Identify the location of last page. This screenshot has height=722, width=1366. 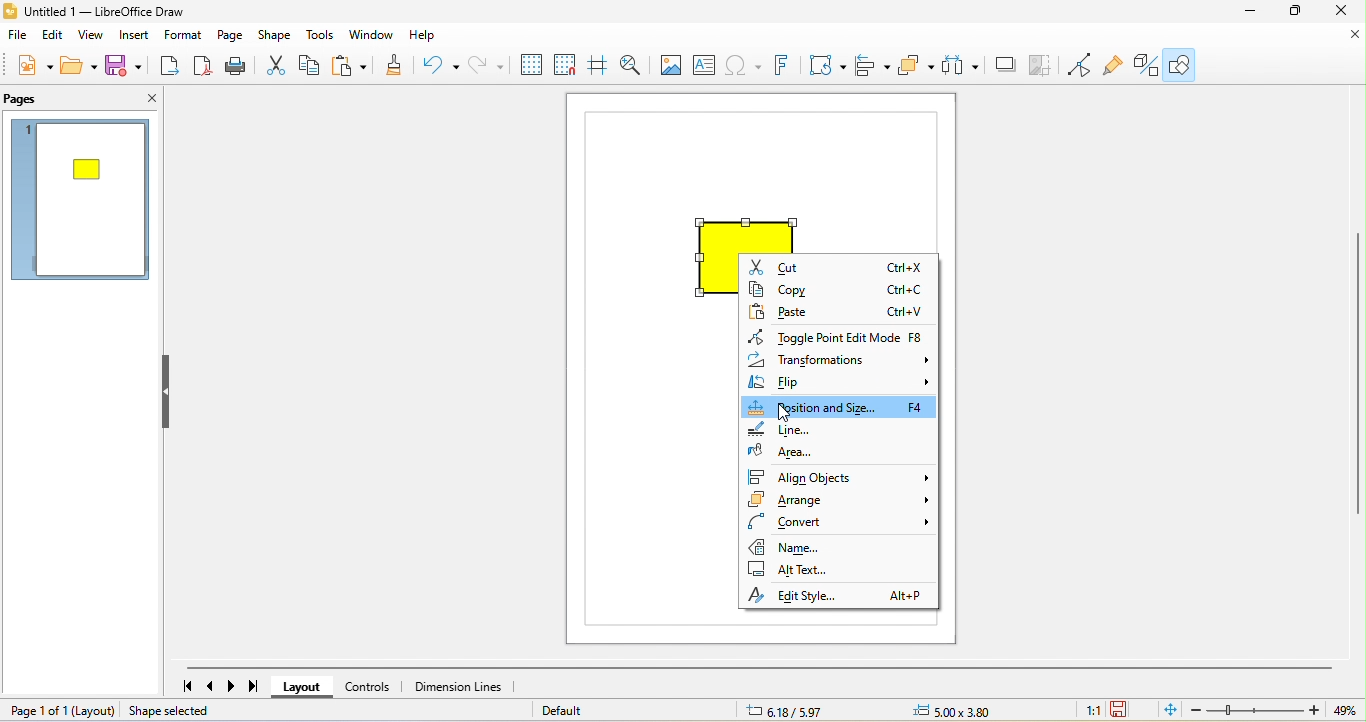
(258, 687).